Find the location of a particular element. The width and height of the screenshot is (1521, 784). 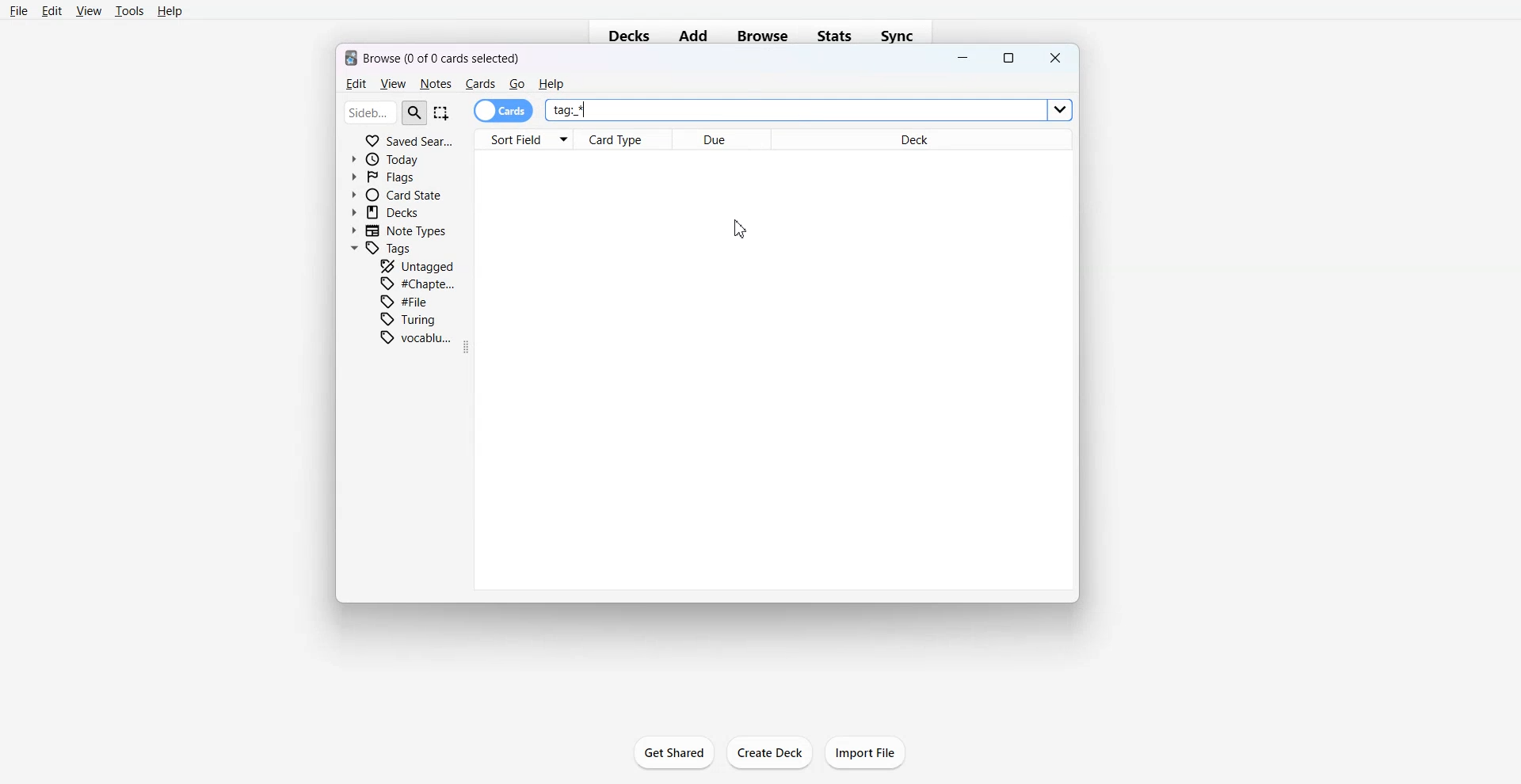

Import File is located at coordinates (867, 752).